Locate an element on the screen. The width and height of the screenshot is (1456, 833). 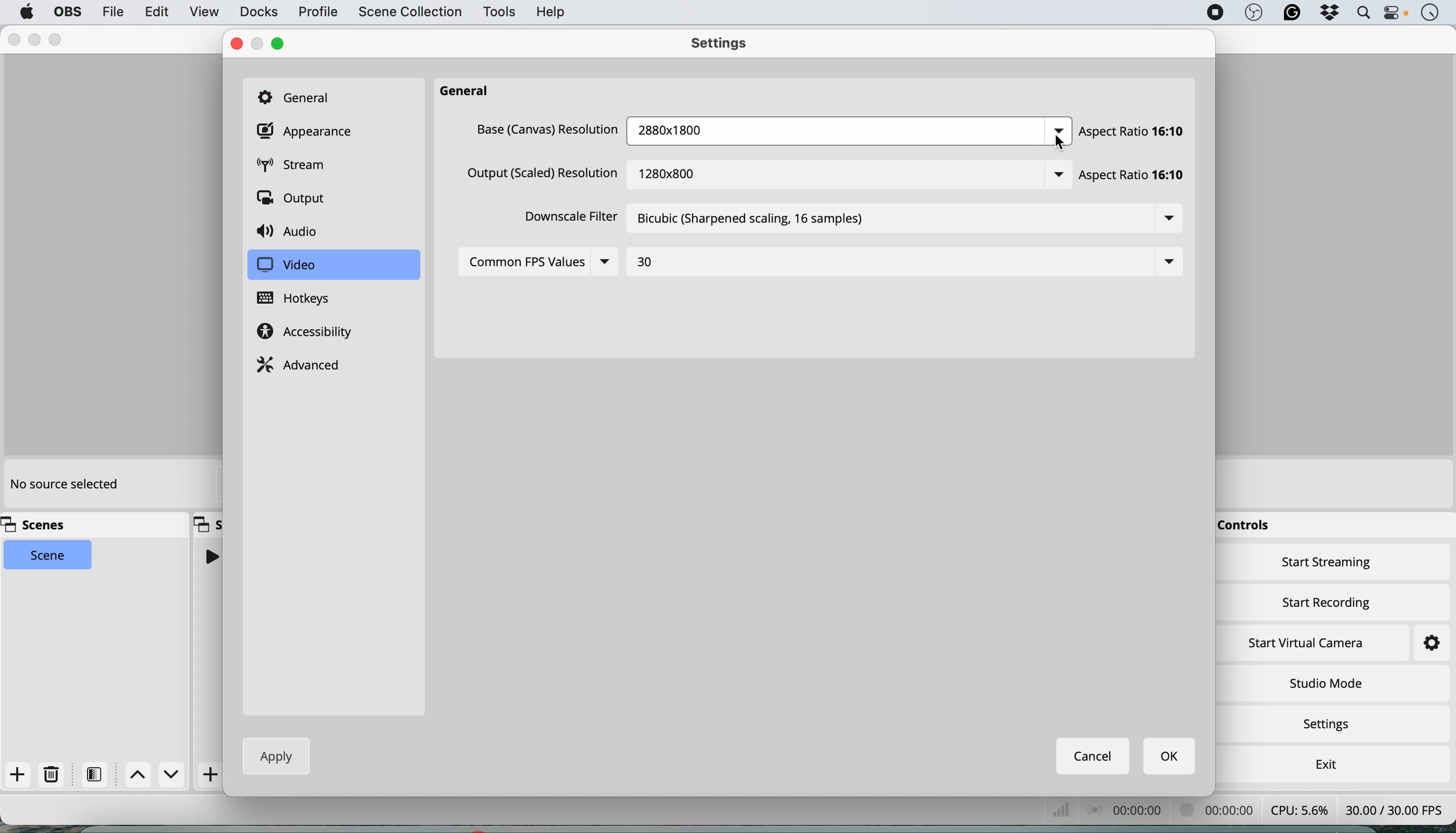
cpu usage is located at coordinates (1299, 810).